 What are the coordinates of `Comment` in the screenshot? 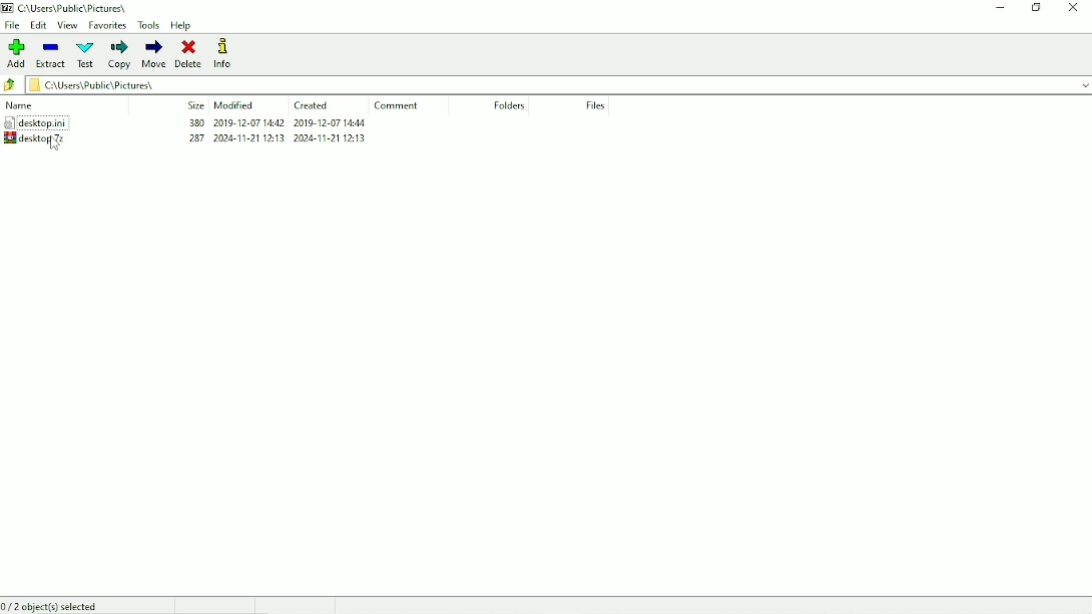 It's located at (395, 105).